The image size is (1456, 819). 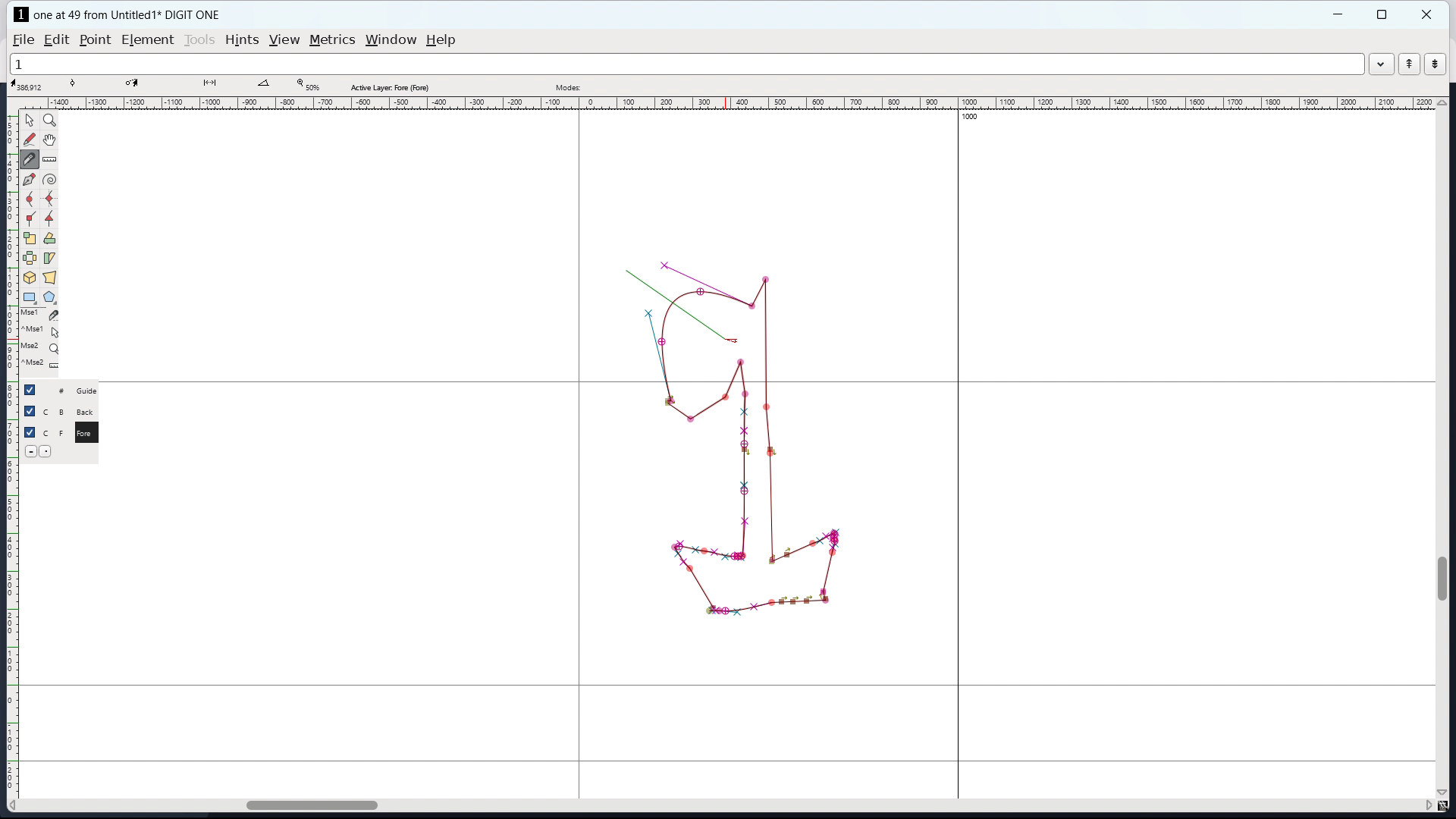 I want to click on close, so click(x=1428, y=14).